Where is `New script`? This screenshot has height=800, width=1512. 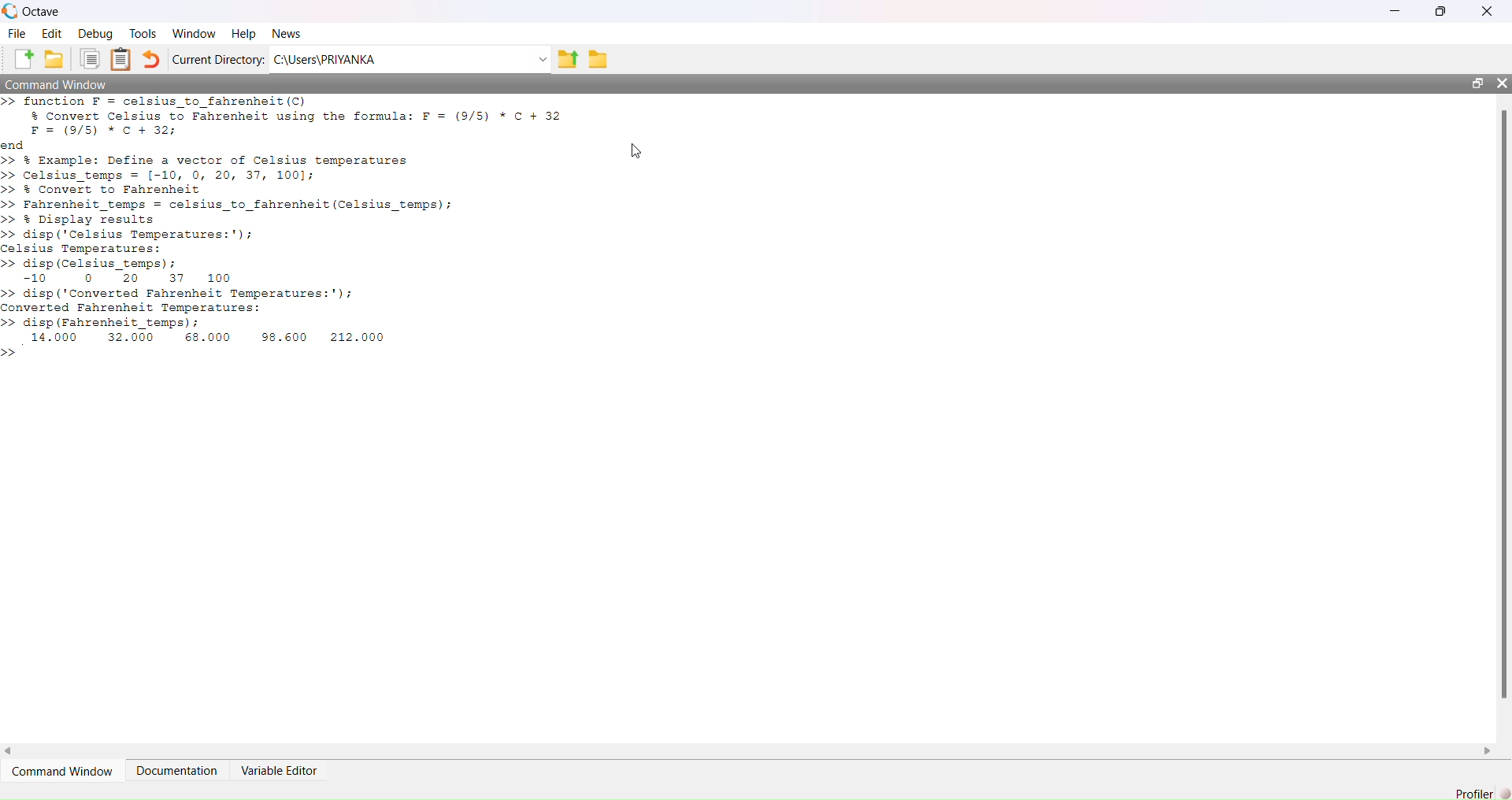 New script is located at coordinates (22, 58).